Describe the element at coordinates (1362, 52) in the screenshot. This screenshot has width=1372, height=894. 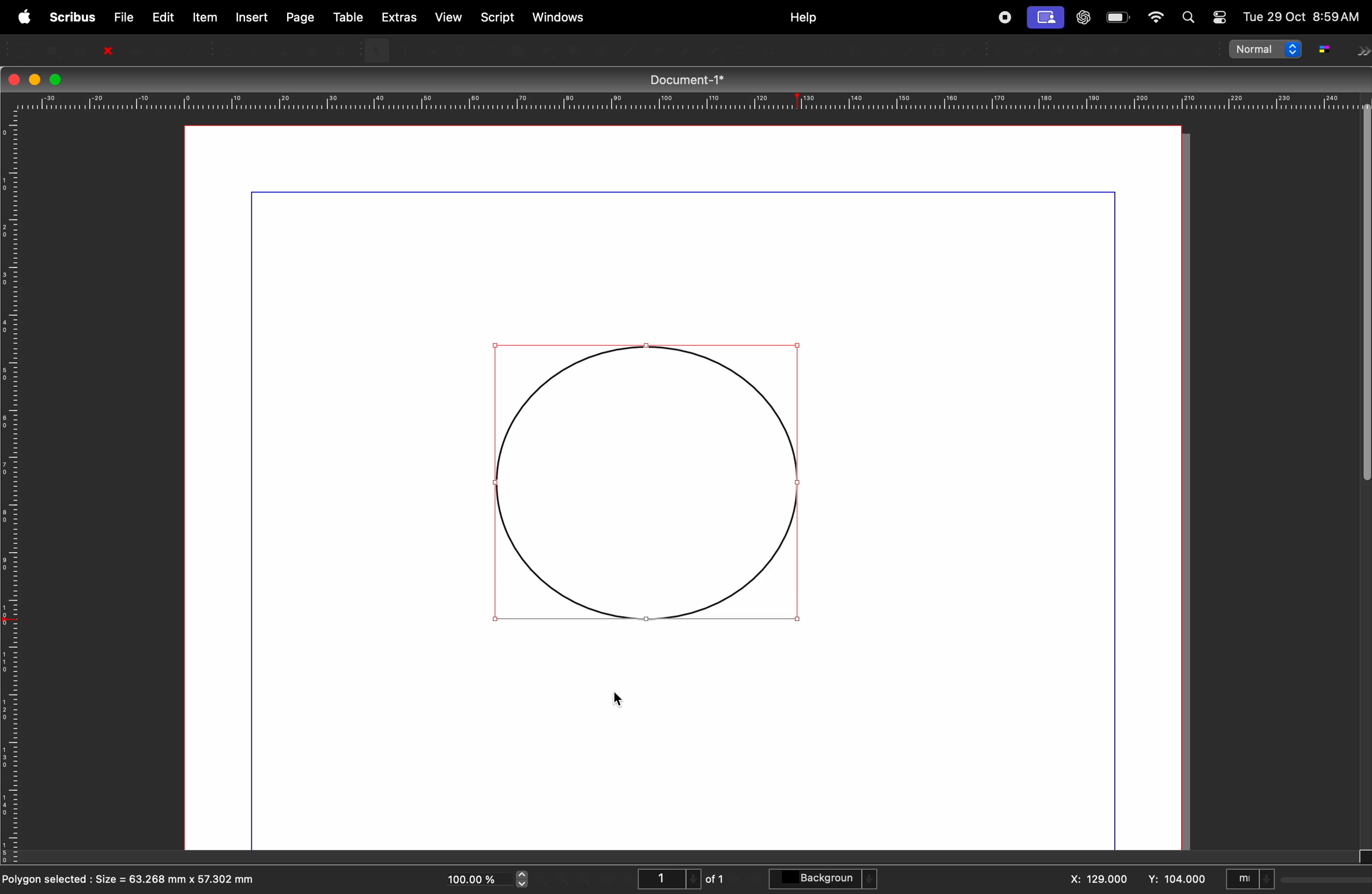
I see `next` at that location.